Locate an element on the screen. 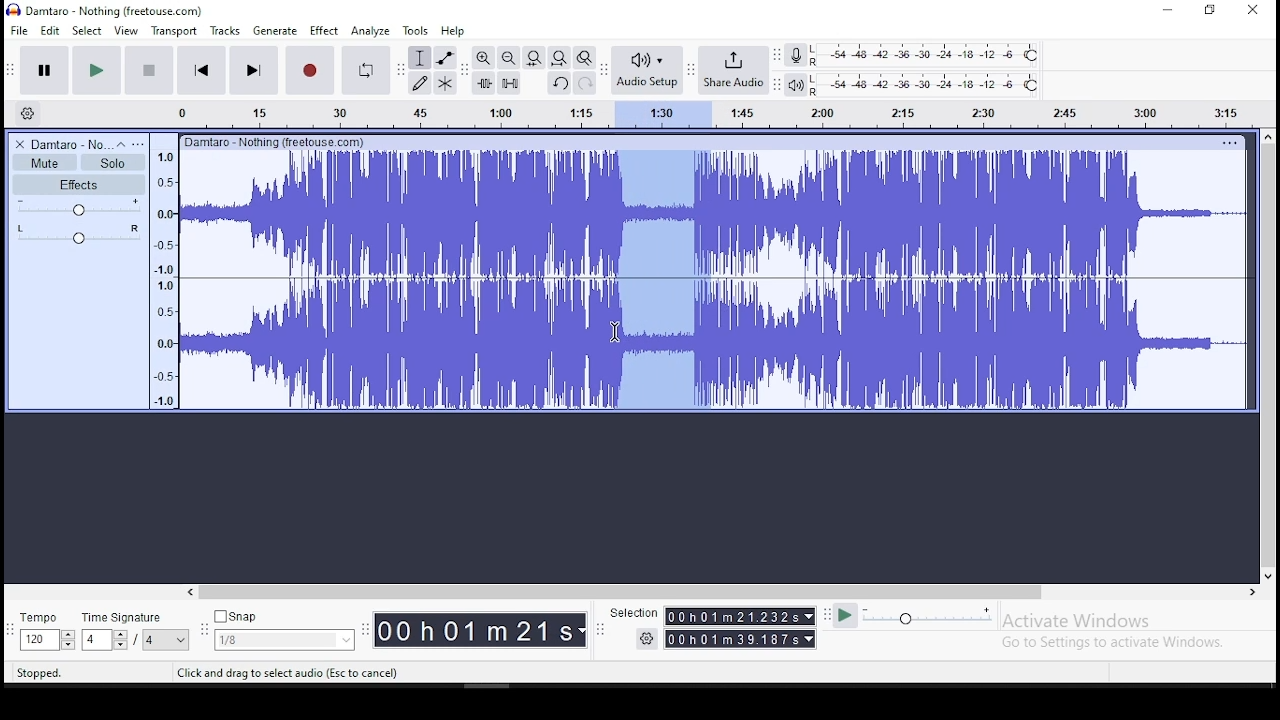  playback level is located at coordinates (926, 85).